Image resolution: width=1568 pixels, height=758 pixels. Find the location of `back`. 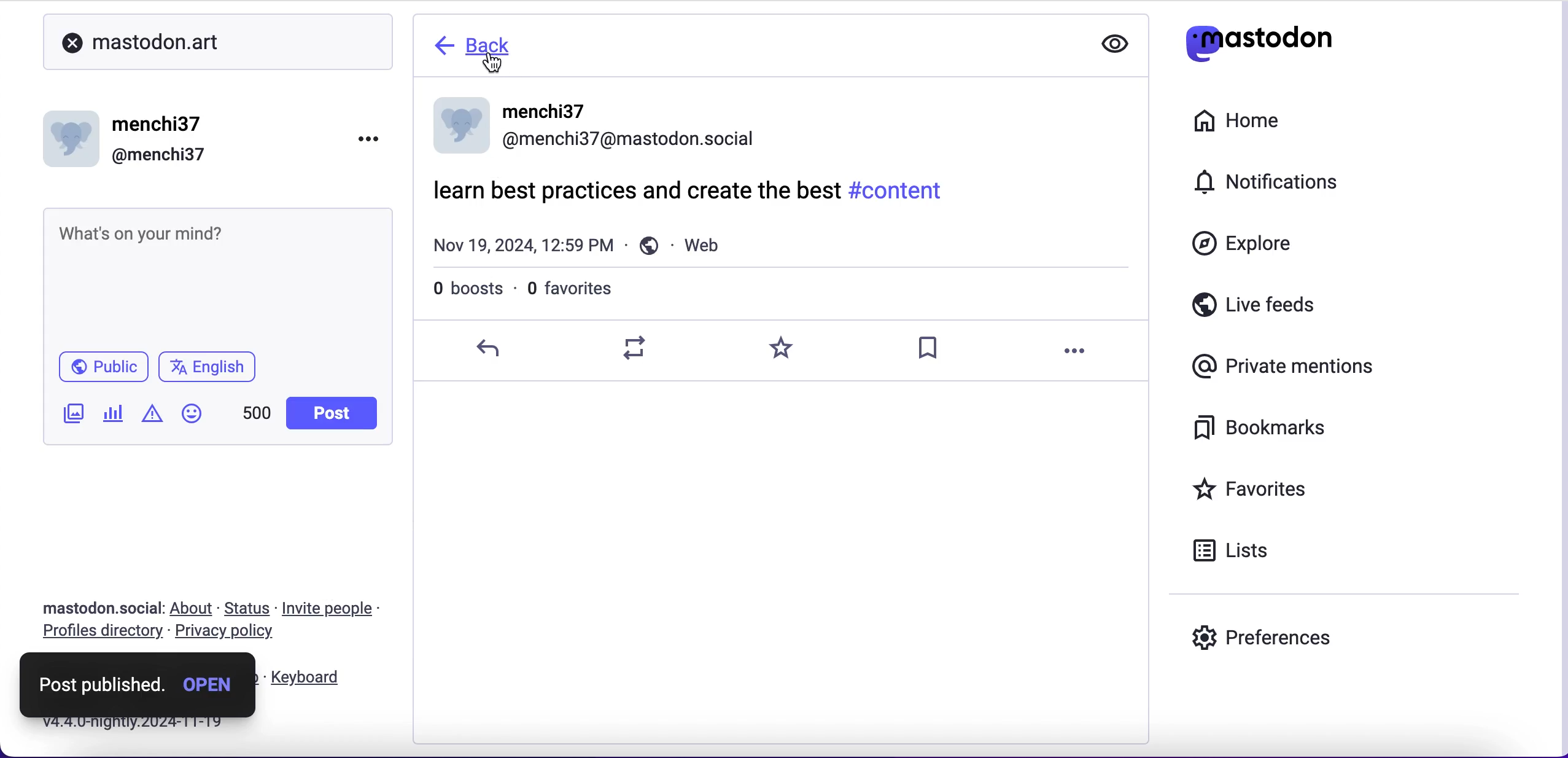

back is located at coordinates (486, 43).